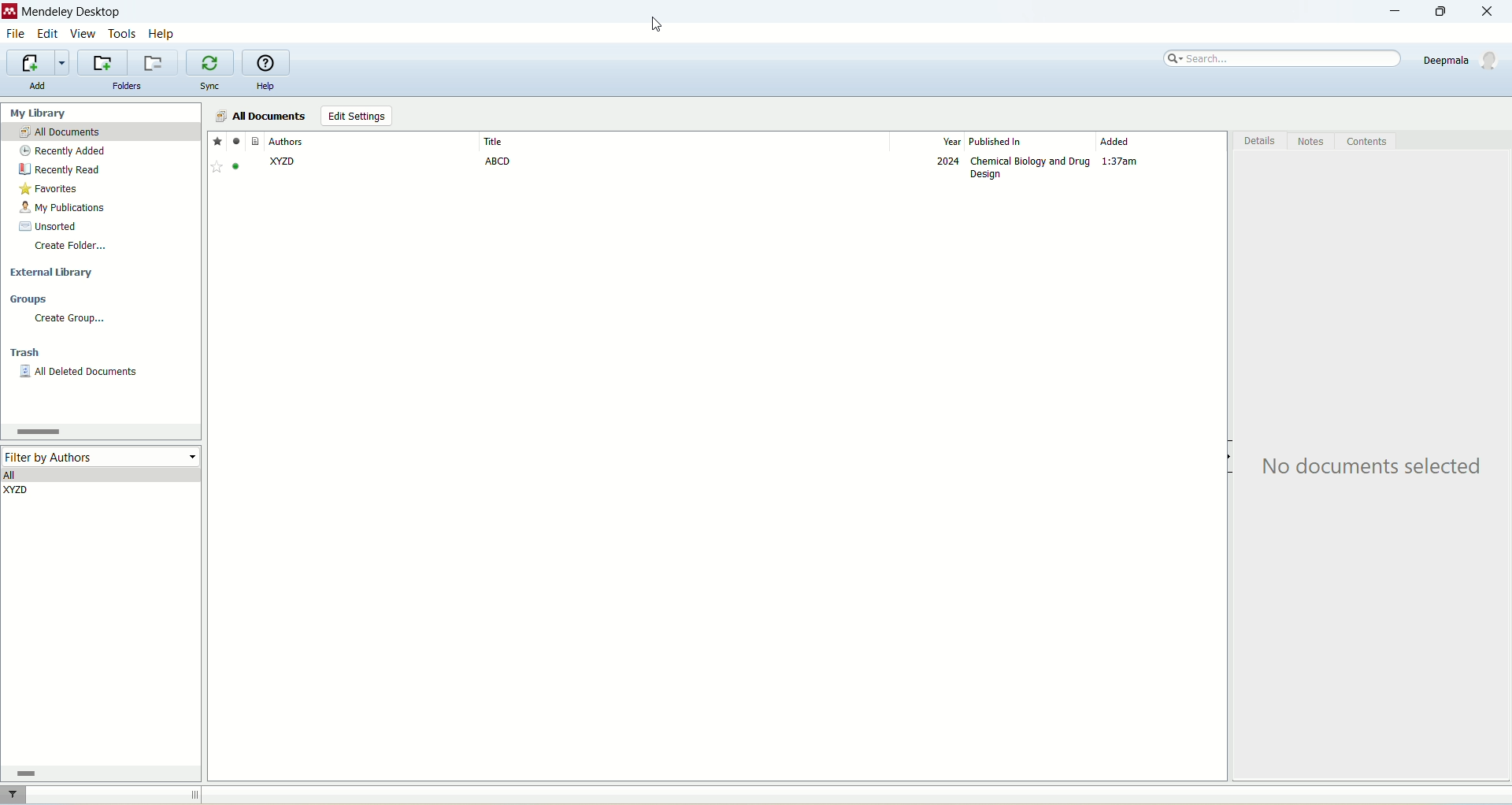  Describe the element at coordinates (1392, 12) in the screenshot. I see `minimize` at that location.